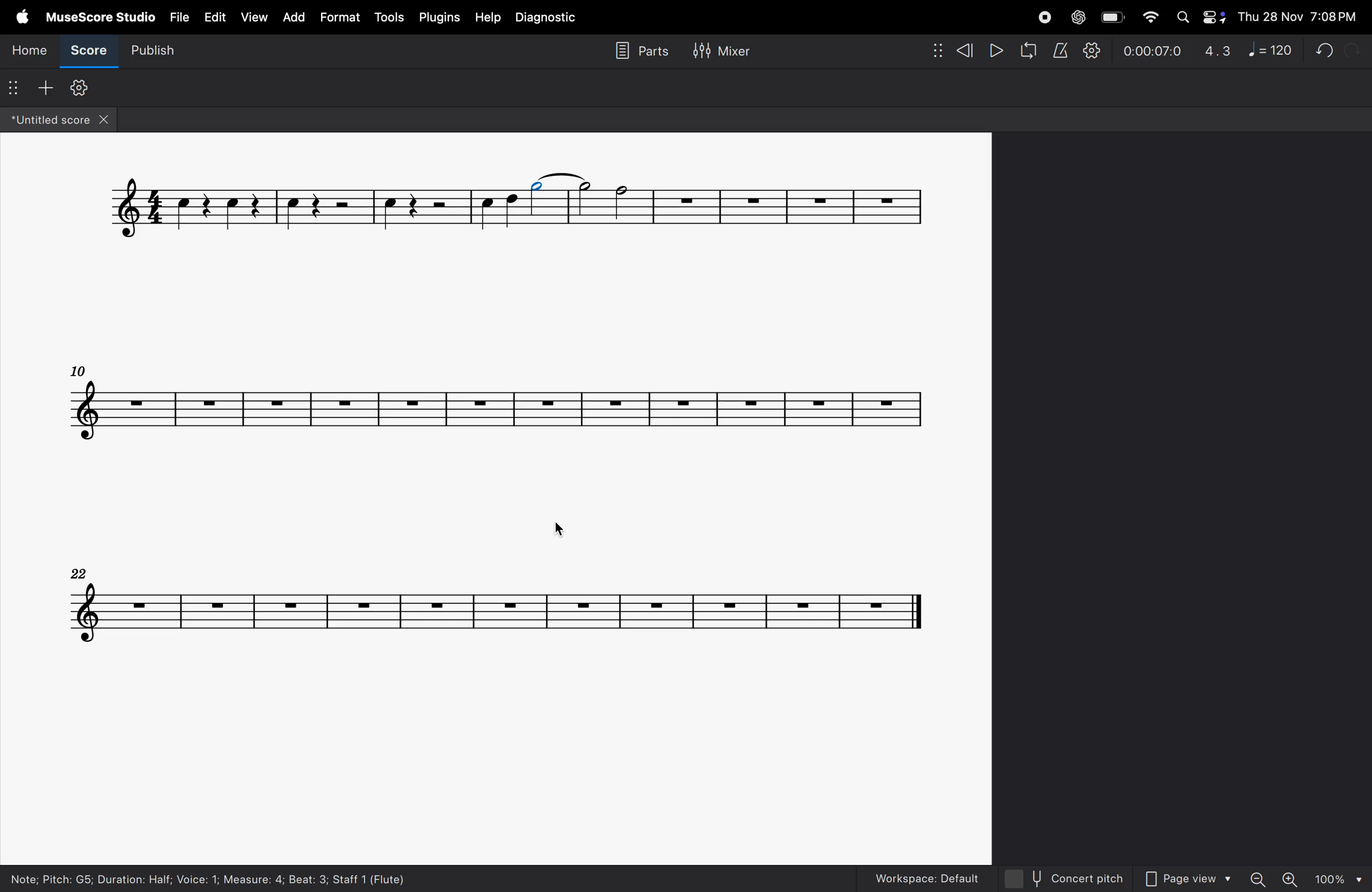 This screenshot has width=1372, height=892. What do you see at coordinates (62, 120) in the screenshot?
I see `untitled score` at bounding box center [62, 120].